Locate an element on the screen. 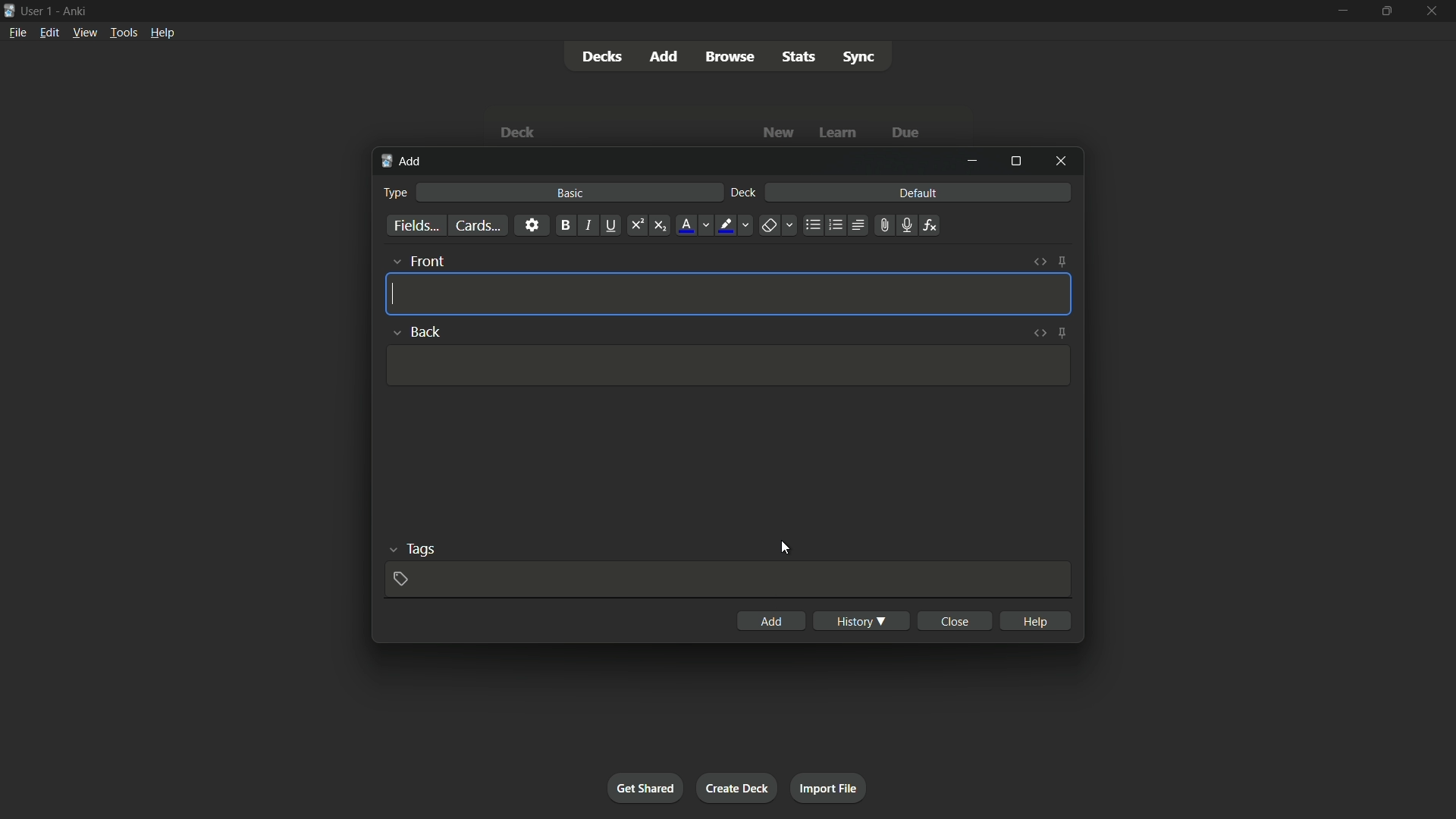 This screenshot has height=819, width=1456. add is located at coordinates (403, 162).